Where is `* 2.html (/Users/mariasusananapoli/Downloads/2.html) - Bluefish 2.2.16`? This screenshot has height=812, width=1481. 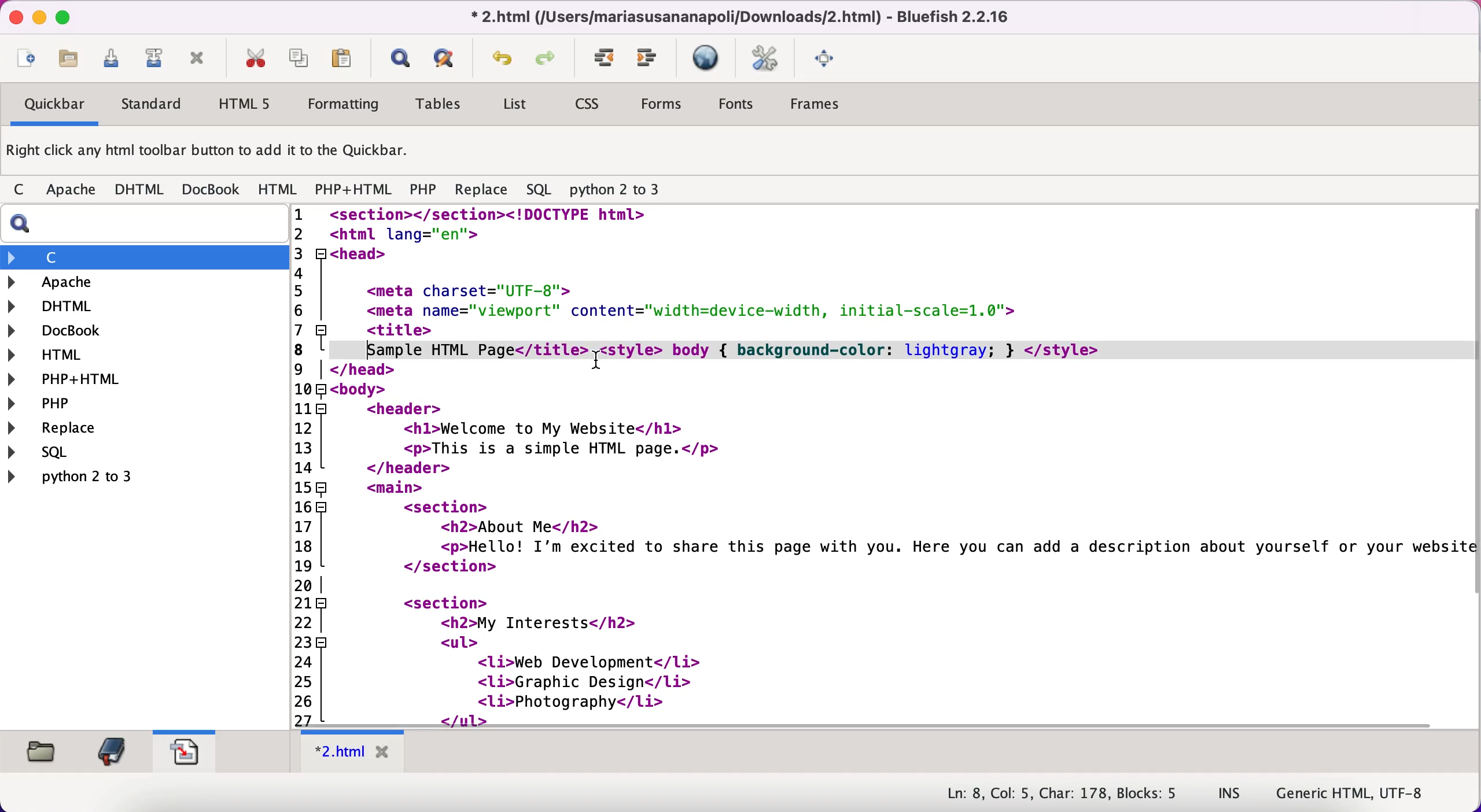
* 2.html (/Users/mariasusananapoli/Downloads/2.html) - Bluefish 2.2.16 is located at coordinates (736, 16).